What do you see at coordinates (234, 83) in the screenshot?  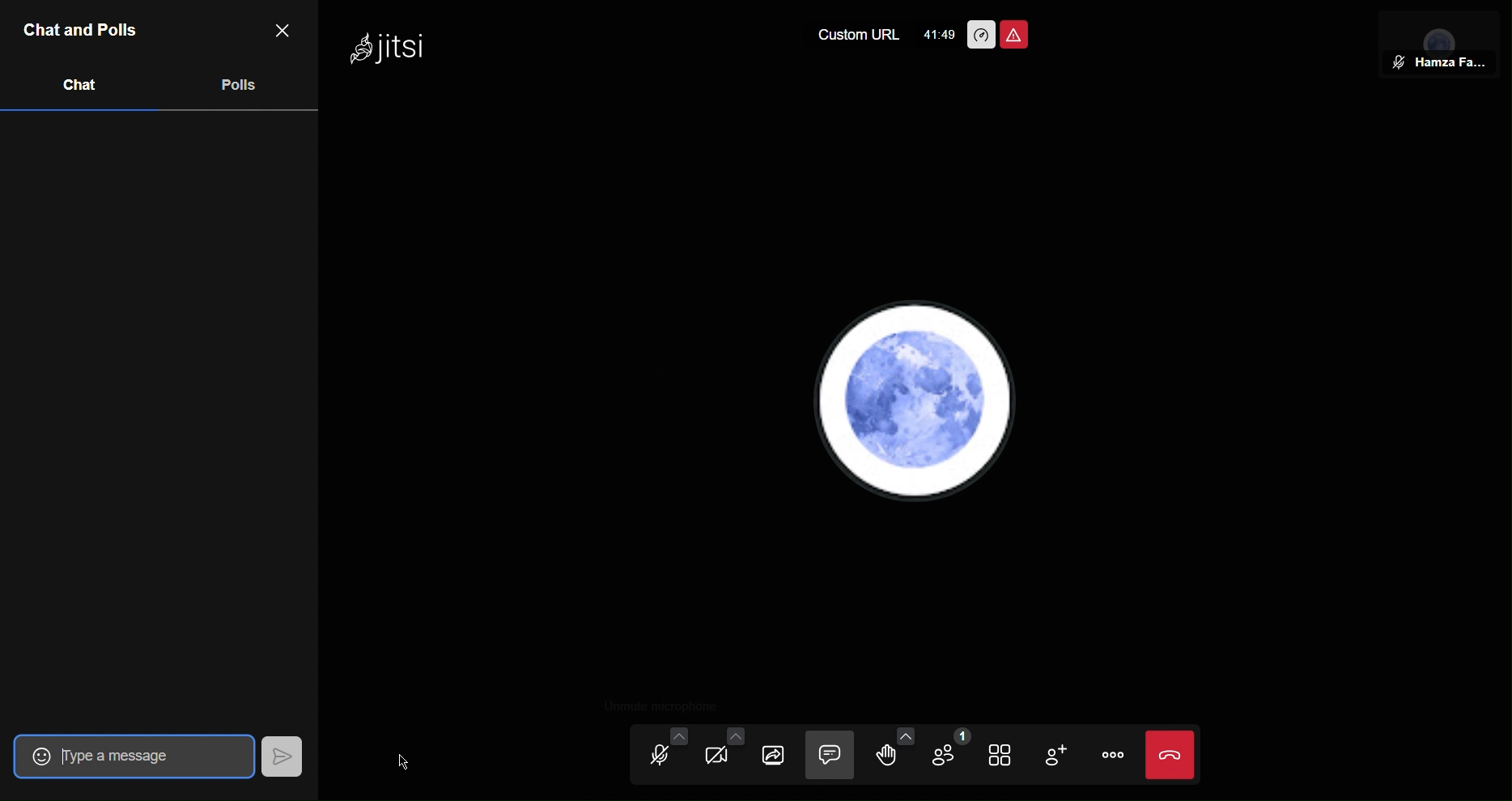 I see `Polls` at bounding box center [234, 83].